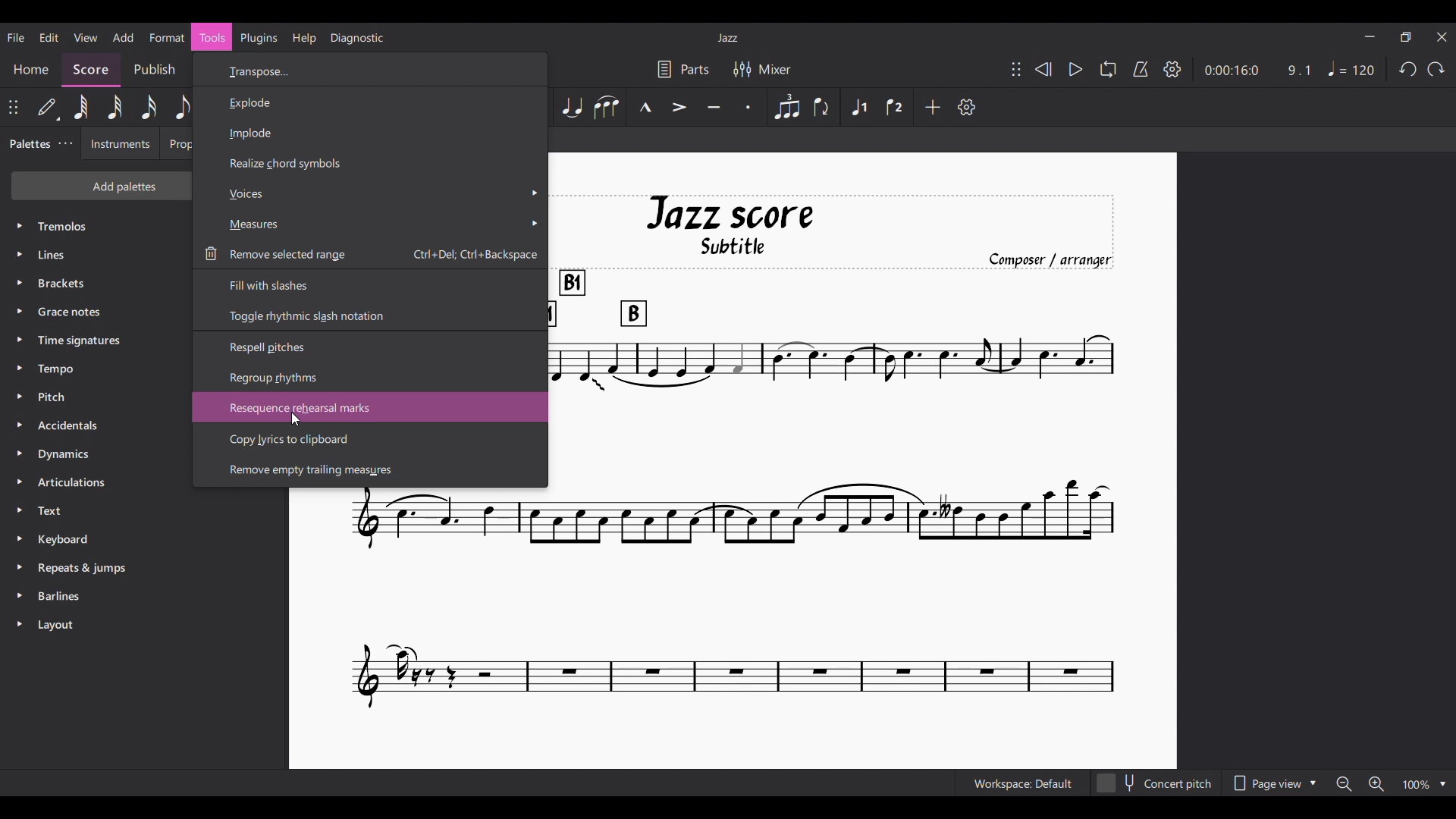 The width and height of the screenshot is (1456, 819). Describe the element at coordinates (86, 37) in the screenshot. I see `View menu` at that location.